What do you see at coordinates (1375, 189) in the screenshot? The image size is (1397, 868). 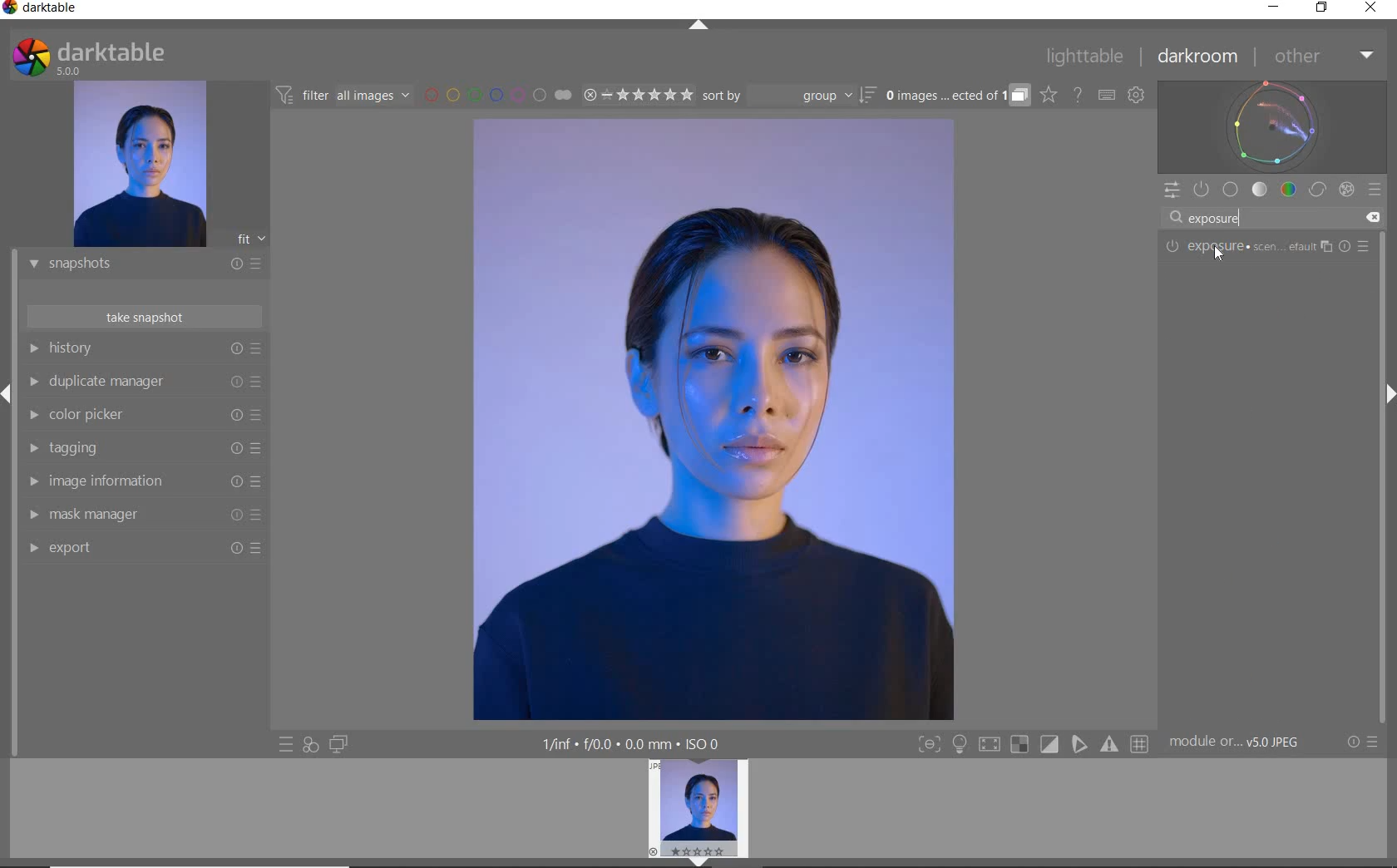 I see `PRESETS` at bounding box center [1375, 189].